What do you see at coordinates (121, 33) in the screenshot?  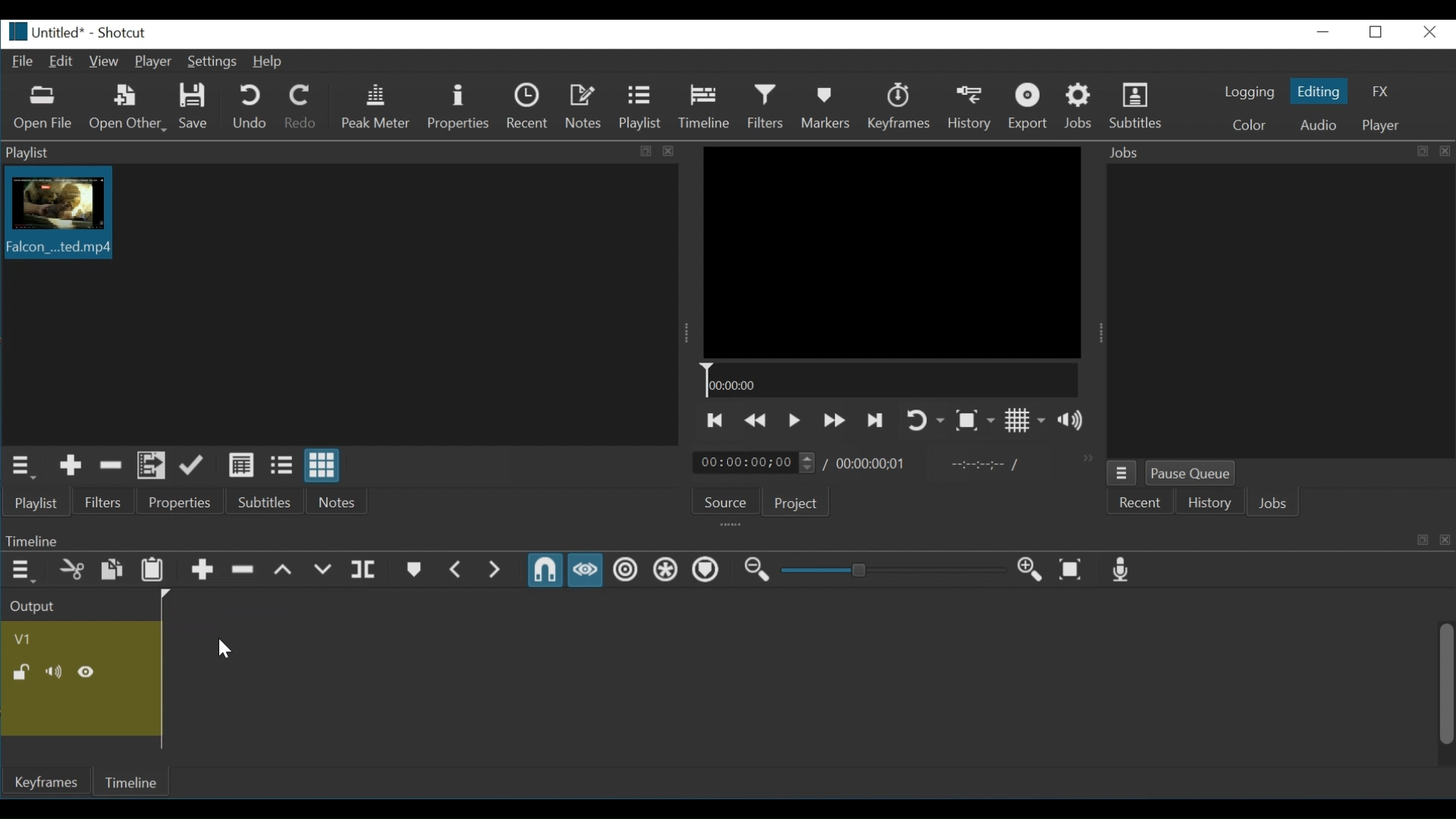 I see `Shotcut` at bounding box center [121, 33].